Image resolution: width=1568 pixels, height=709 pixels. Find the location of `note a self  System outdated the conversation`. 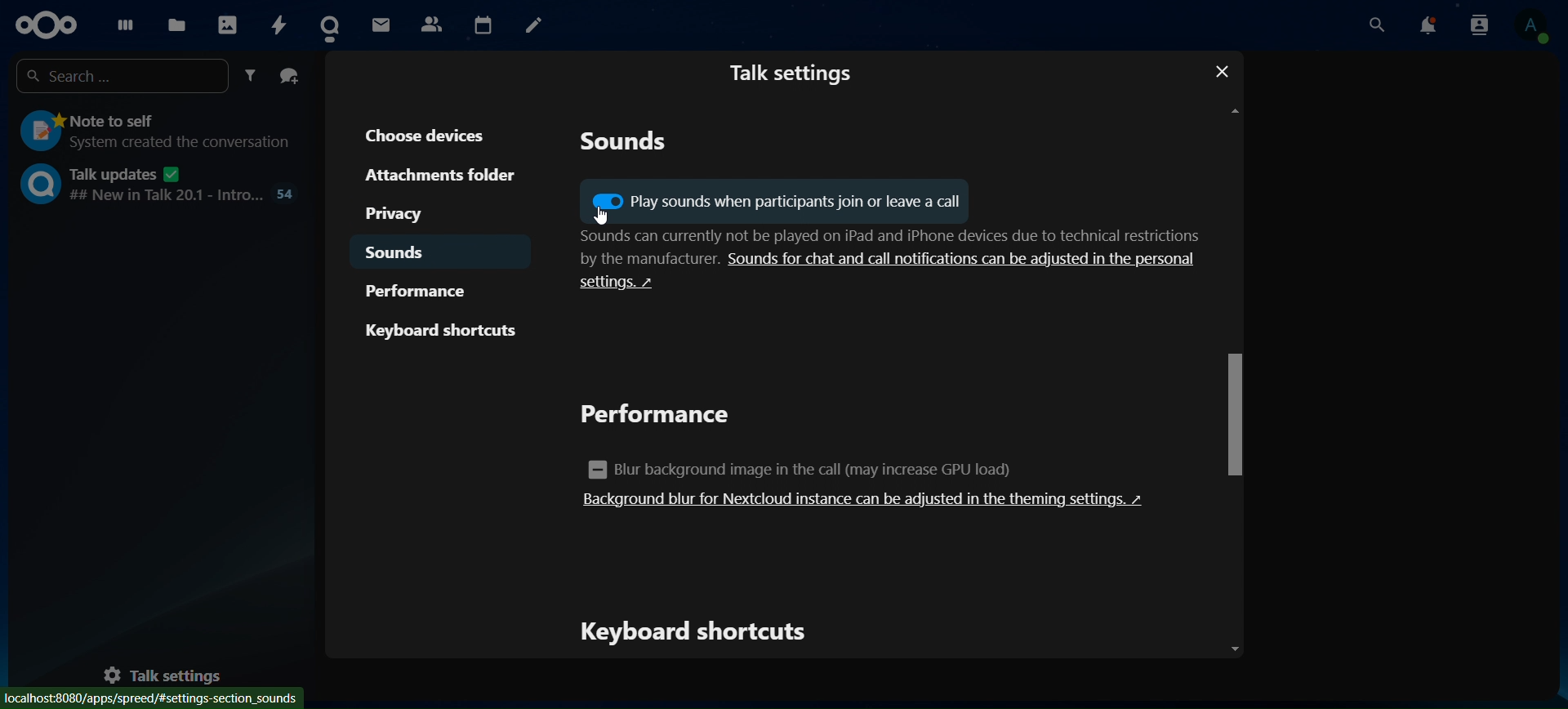

note a self  System outdated the conversation is located at coordinates (158, 129).